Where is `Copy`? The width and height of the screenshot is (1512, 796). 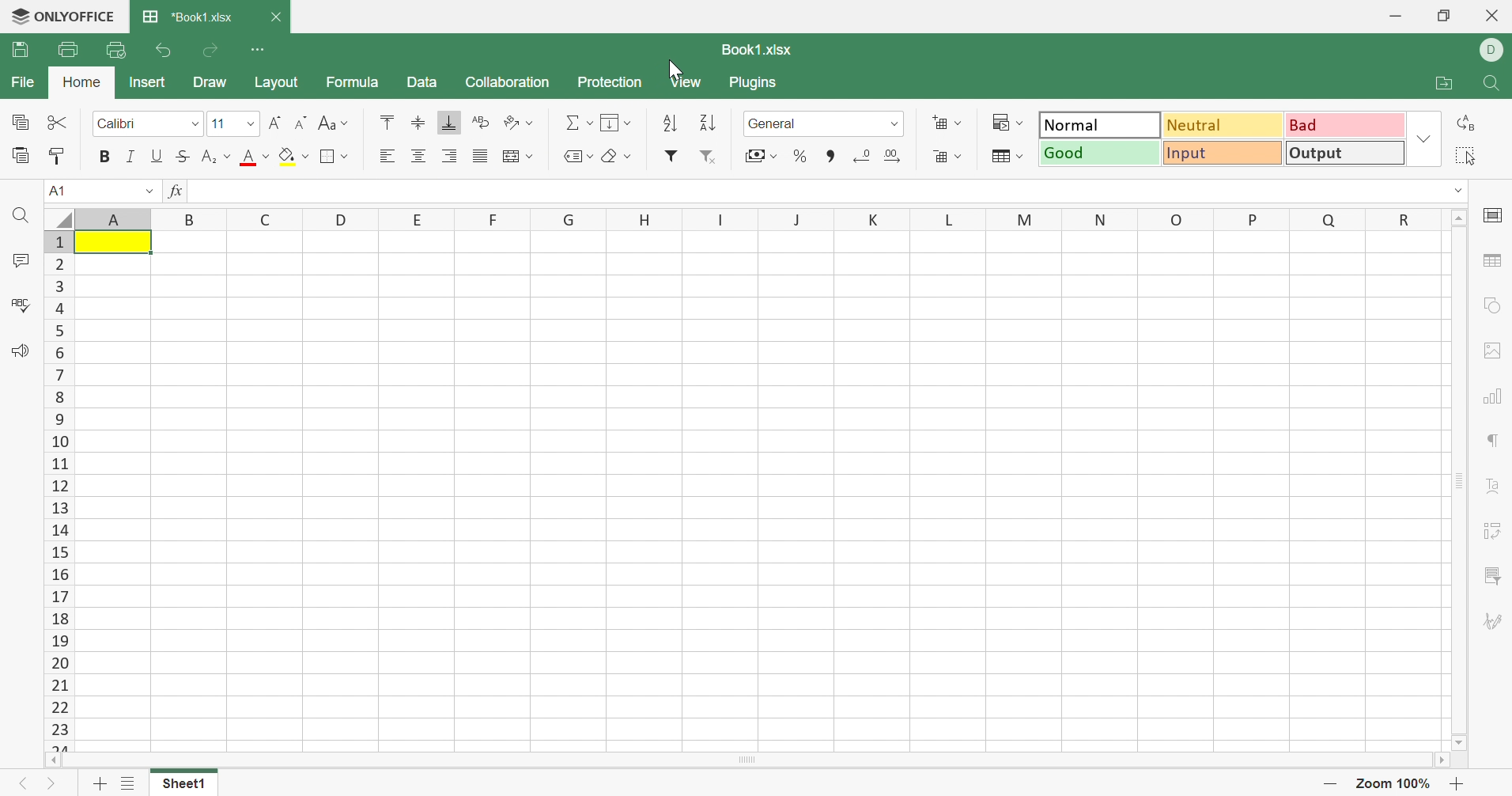
Copy is located at coordinates (18, 119).